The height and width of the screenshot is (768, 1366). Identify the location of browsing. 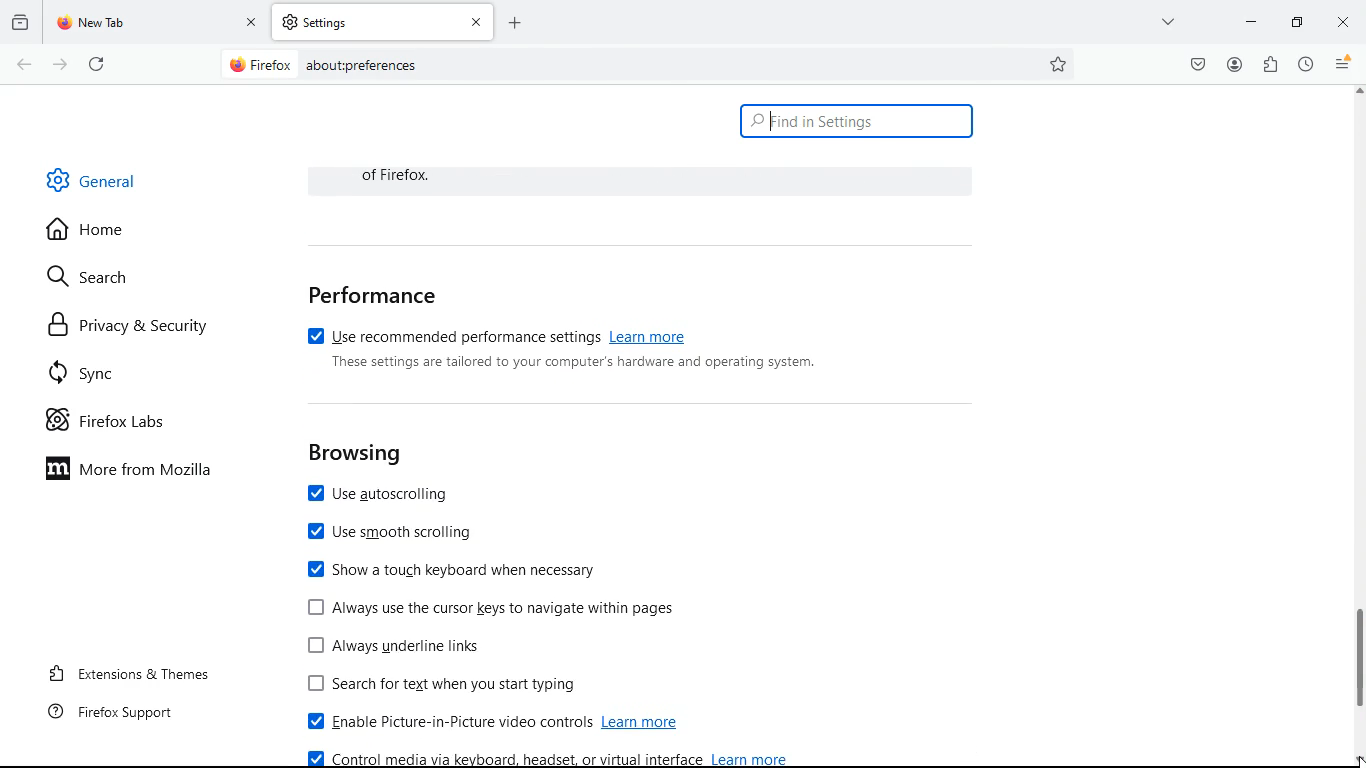
(356, 454).